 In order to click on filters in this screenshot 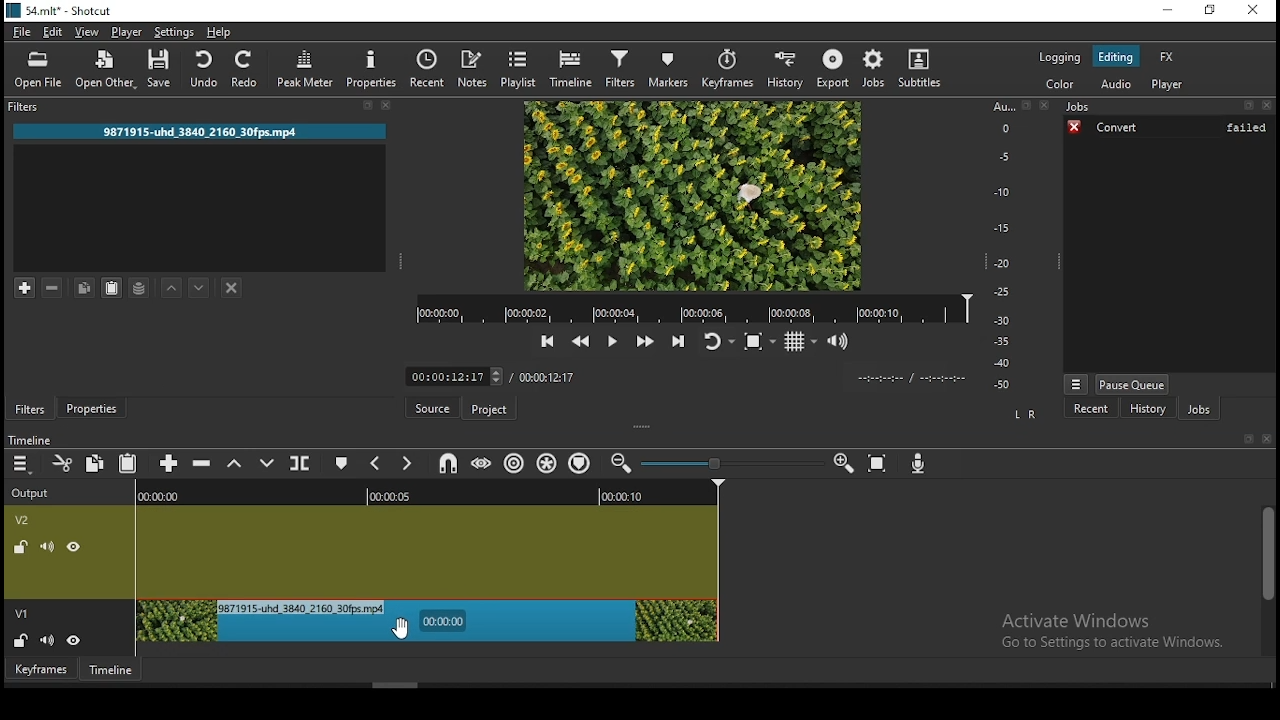, I will do `click(623, 70)`.